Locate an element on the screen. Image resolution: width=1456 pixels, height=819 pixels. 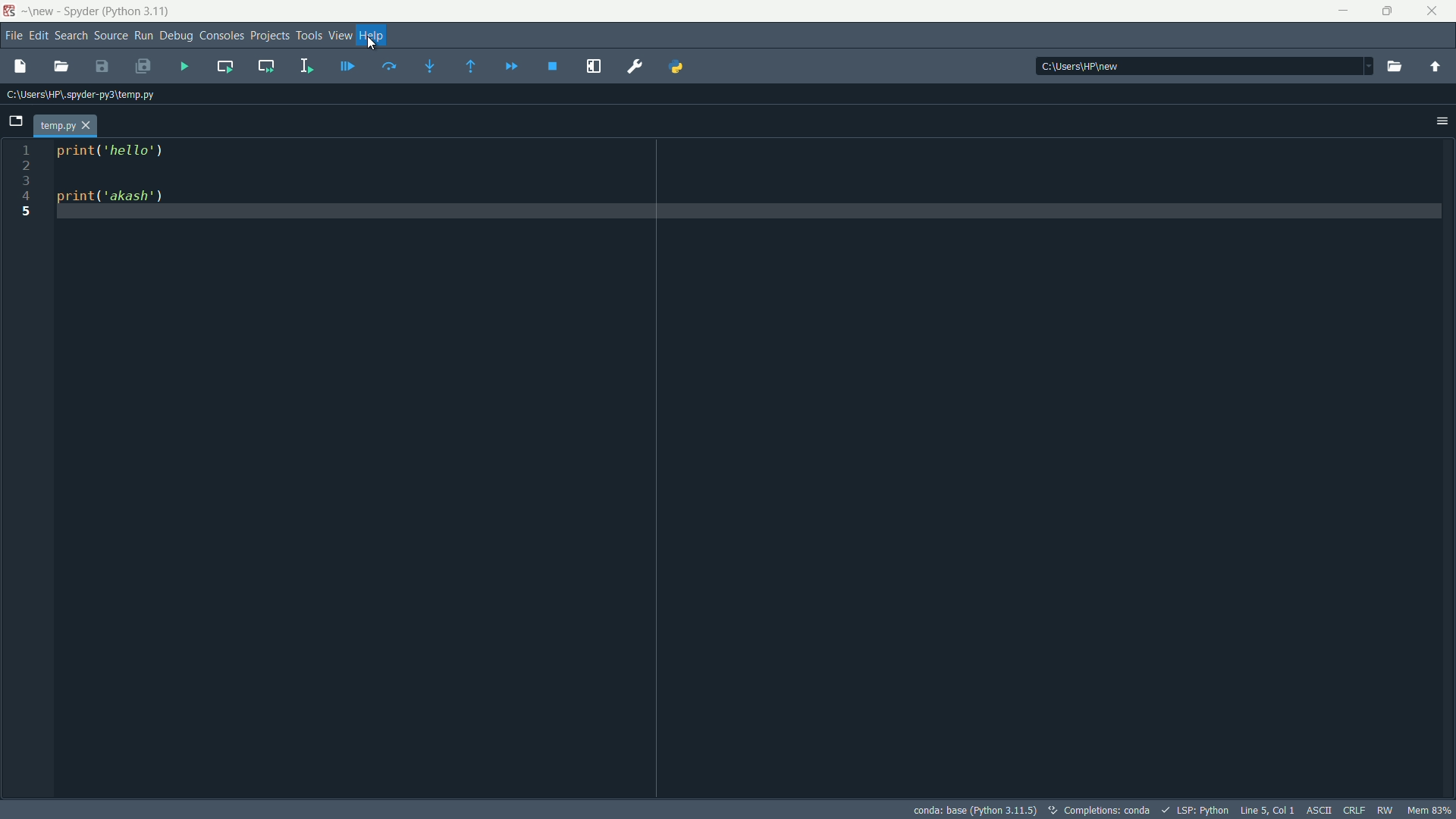
view menu is located at coordinates (339, 36).